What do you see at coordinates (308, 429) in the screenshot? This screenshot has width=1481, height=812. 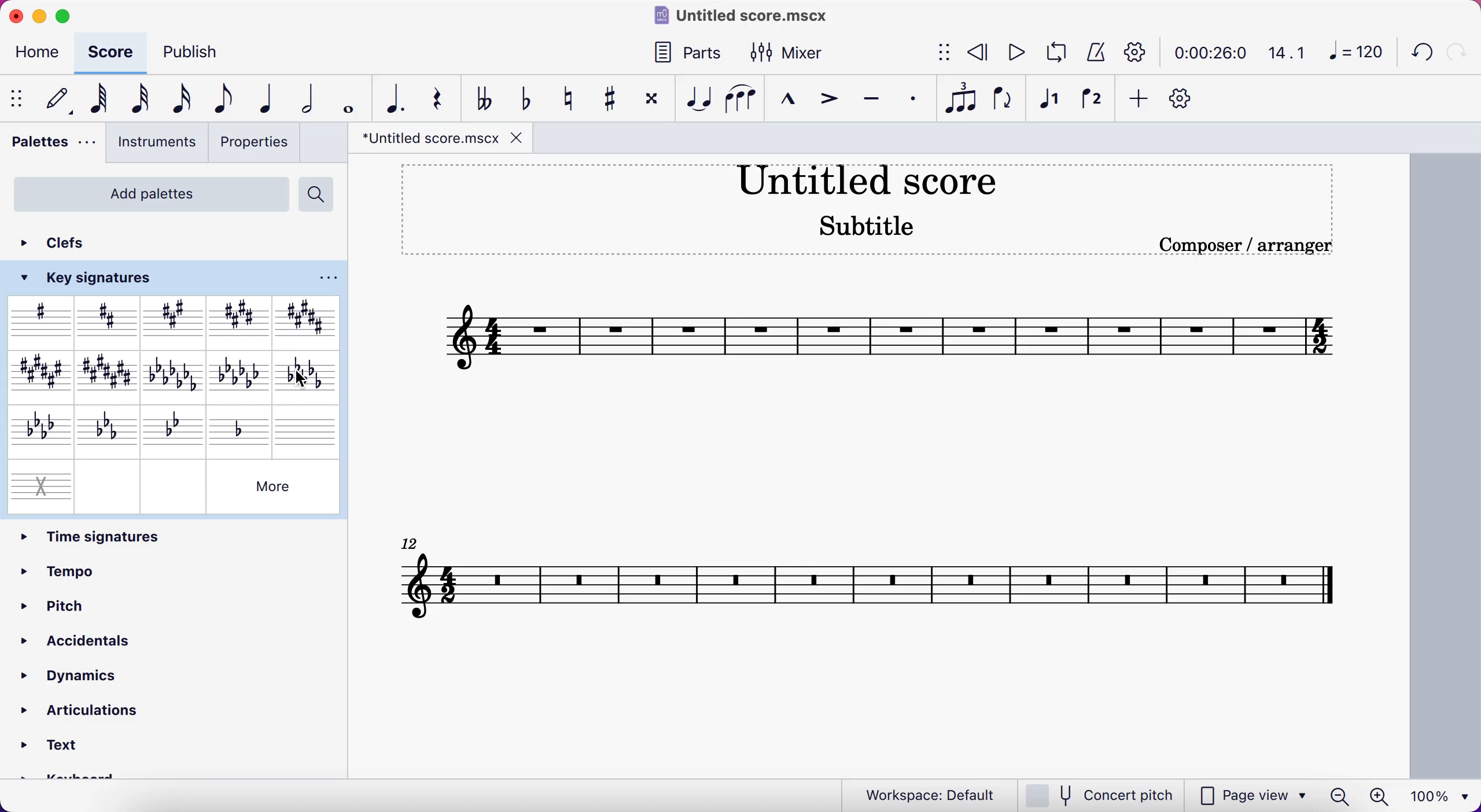 I see `blank` at bounding box center [308, 429].